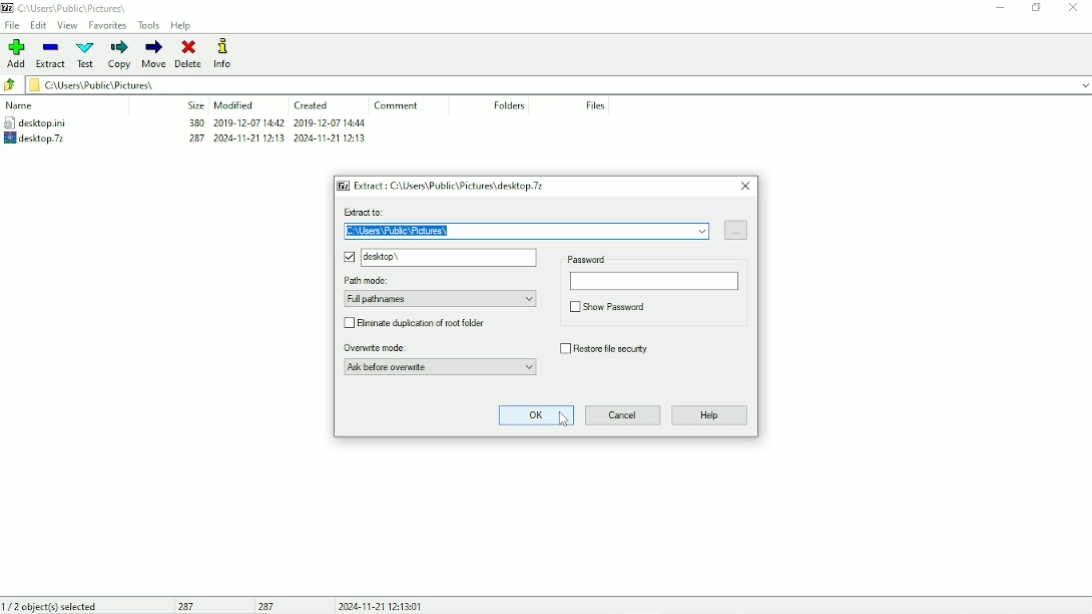 This screenshot has height=614, width=1092. What do you see at coordinates (572, 307) in the screenshot?
I see `checkbox` at bounding box center [572, 307].